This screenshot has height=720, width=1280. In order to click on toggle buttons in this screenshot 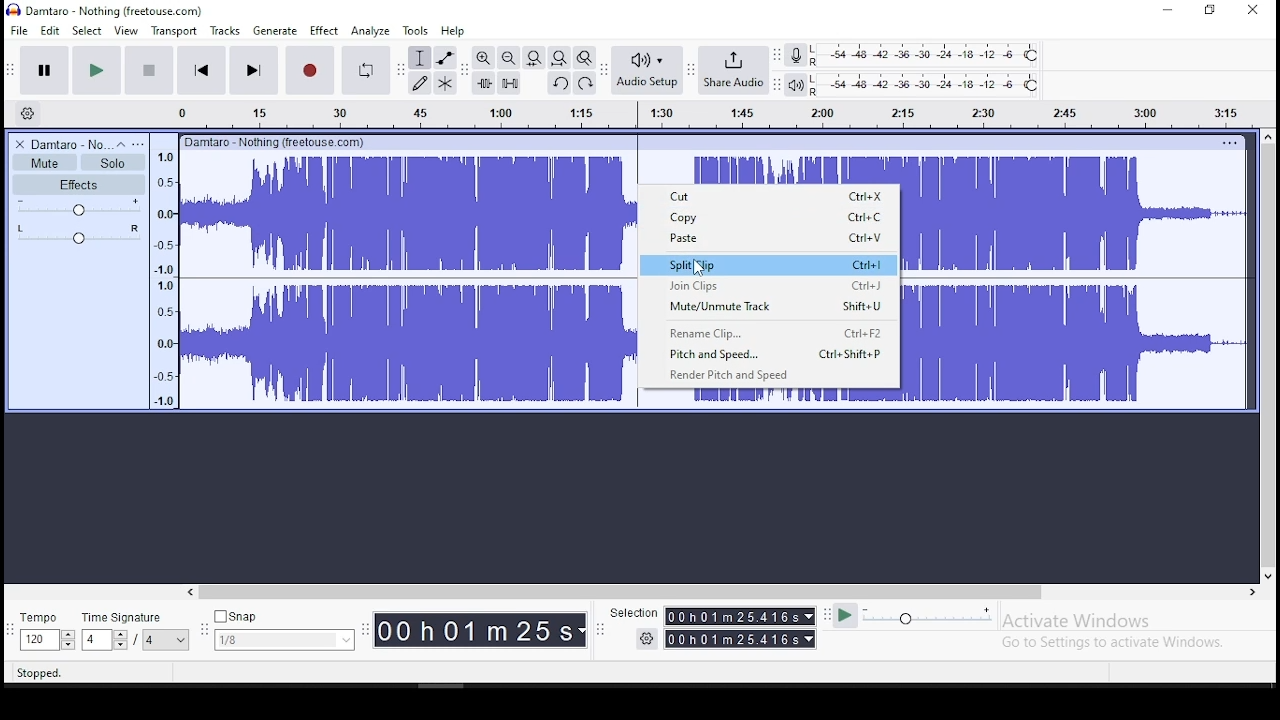, I will do `click(46, 640)`.